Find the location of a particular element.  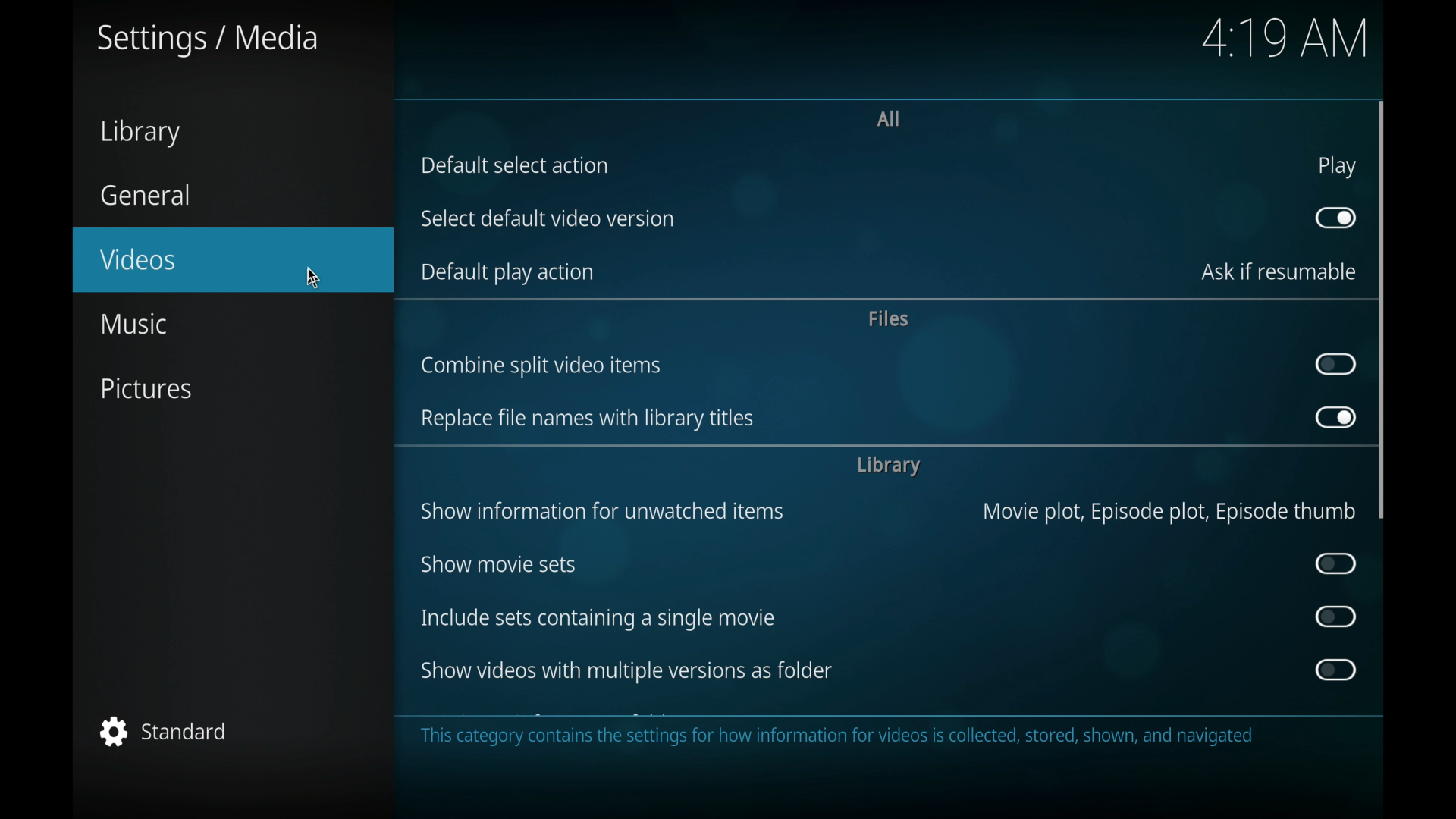

include sets is located at coordinates (599, 618).